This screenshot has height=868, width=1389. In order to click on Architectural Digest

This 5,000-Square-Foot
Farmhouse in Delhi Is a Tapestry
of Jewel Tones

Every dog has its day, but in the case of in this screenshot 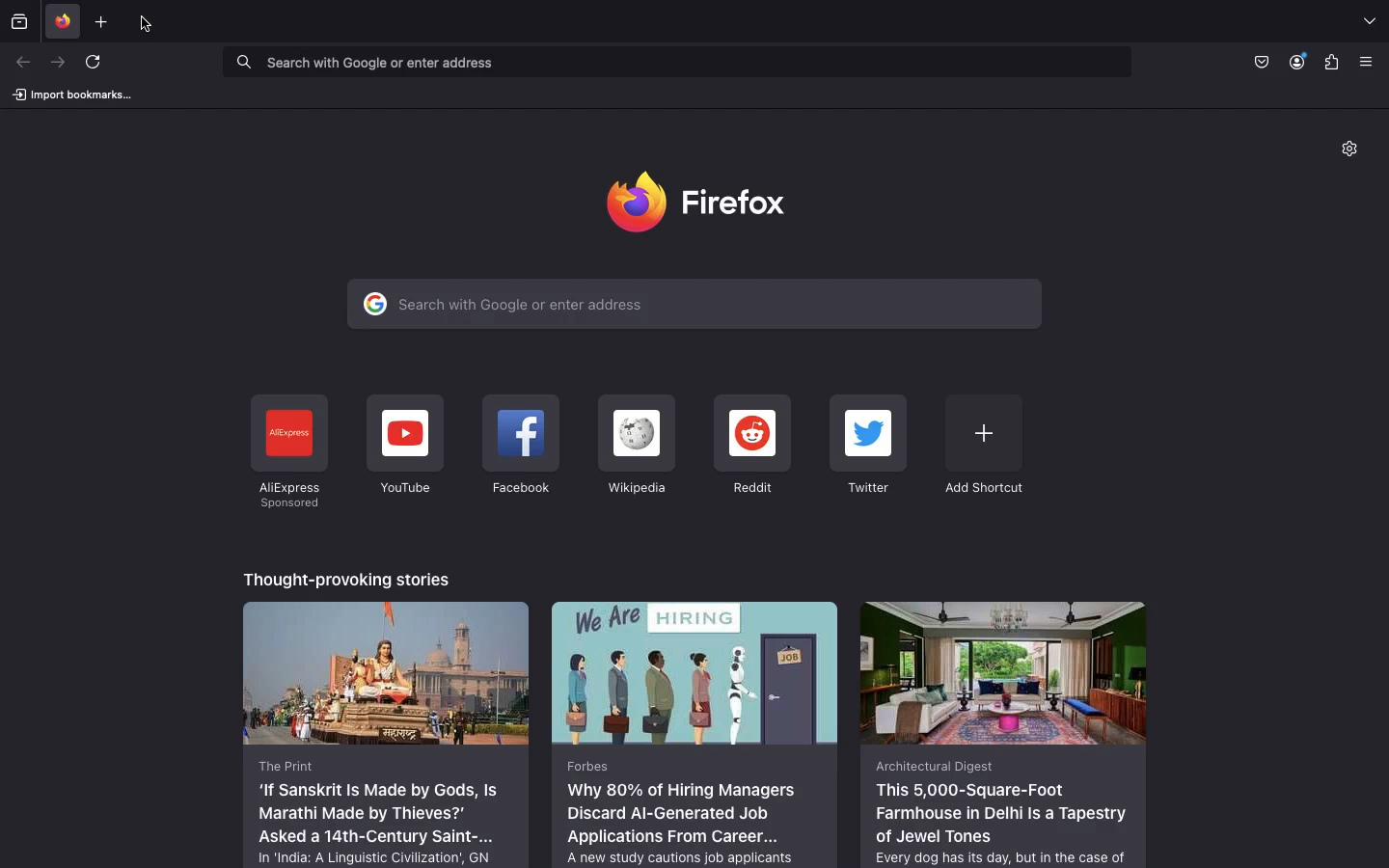, I will do `click(1002, 733)`.